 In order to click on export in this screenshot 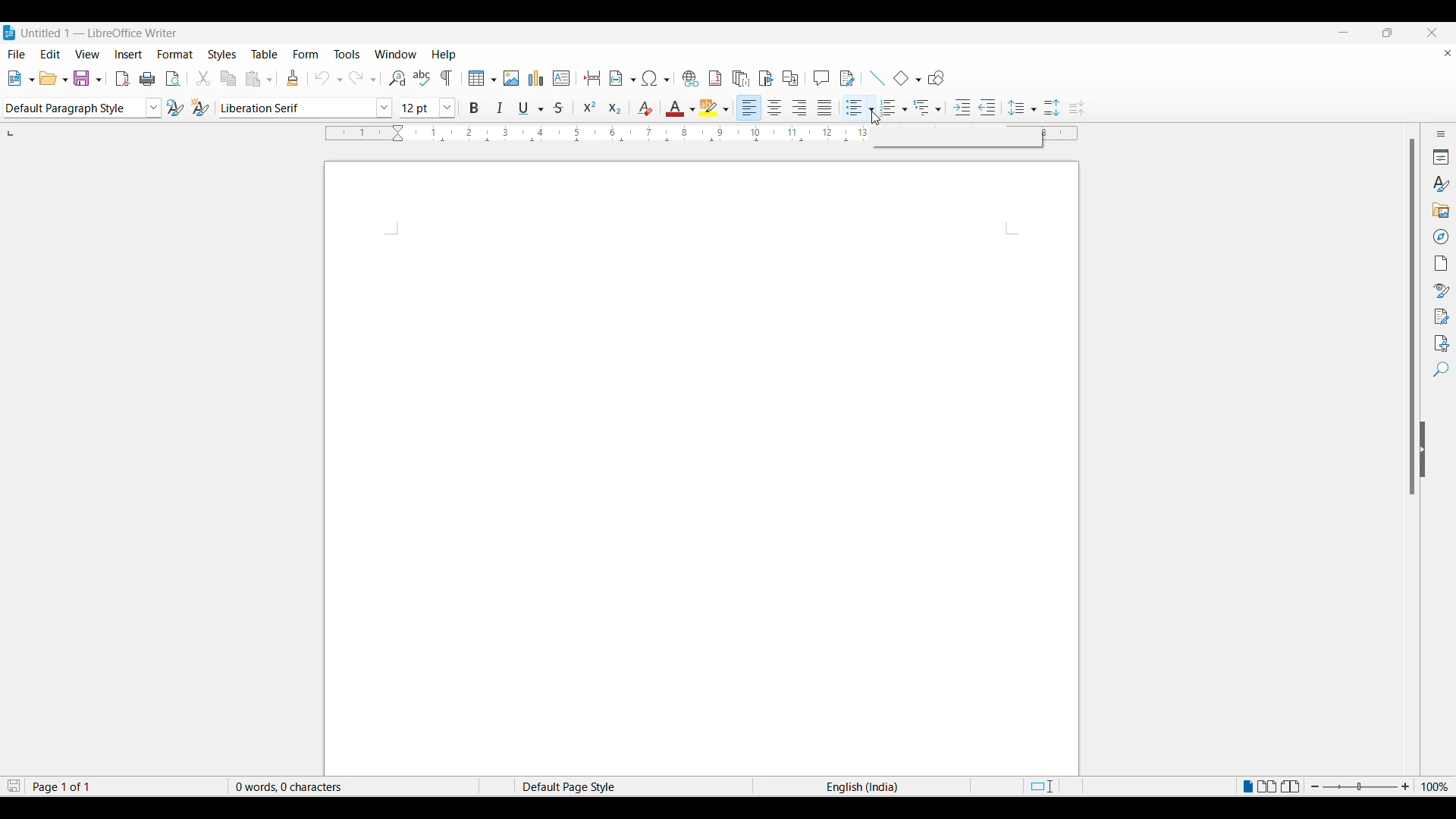, I will do `click(124, 80)`.